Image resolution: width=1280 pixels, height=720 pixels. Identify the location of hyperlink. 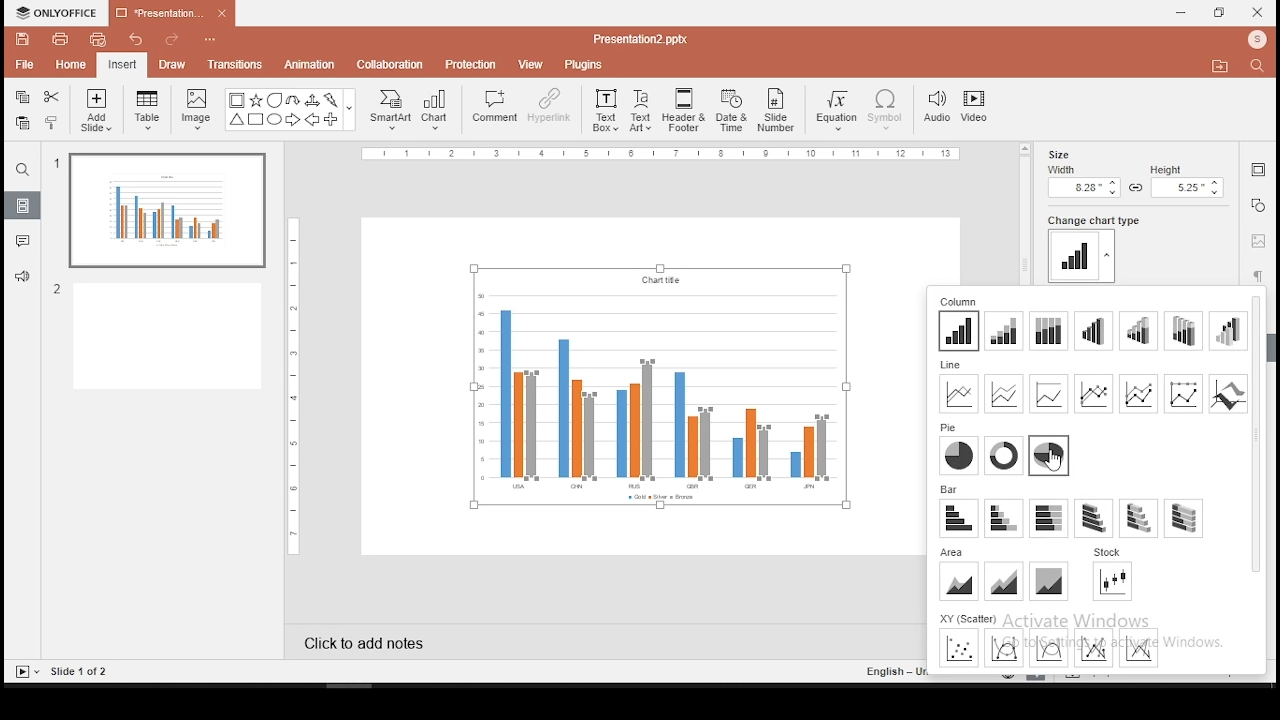
(547, 107).